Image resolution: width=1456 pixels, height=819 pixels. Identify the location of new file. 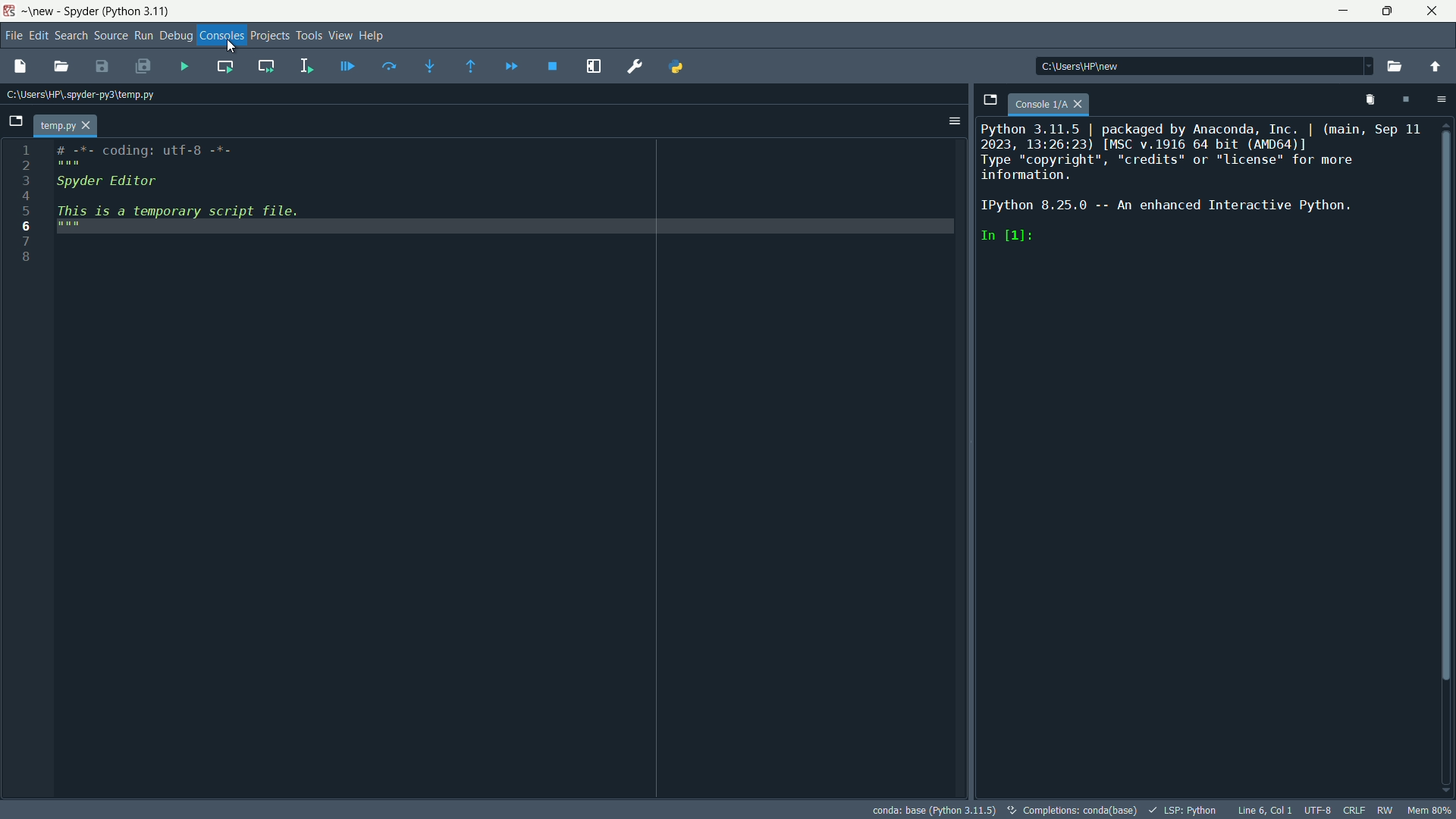
(15, 66).